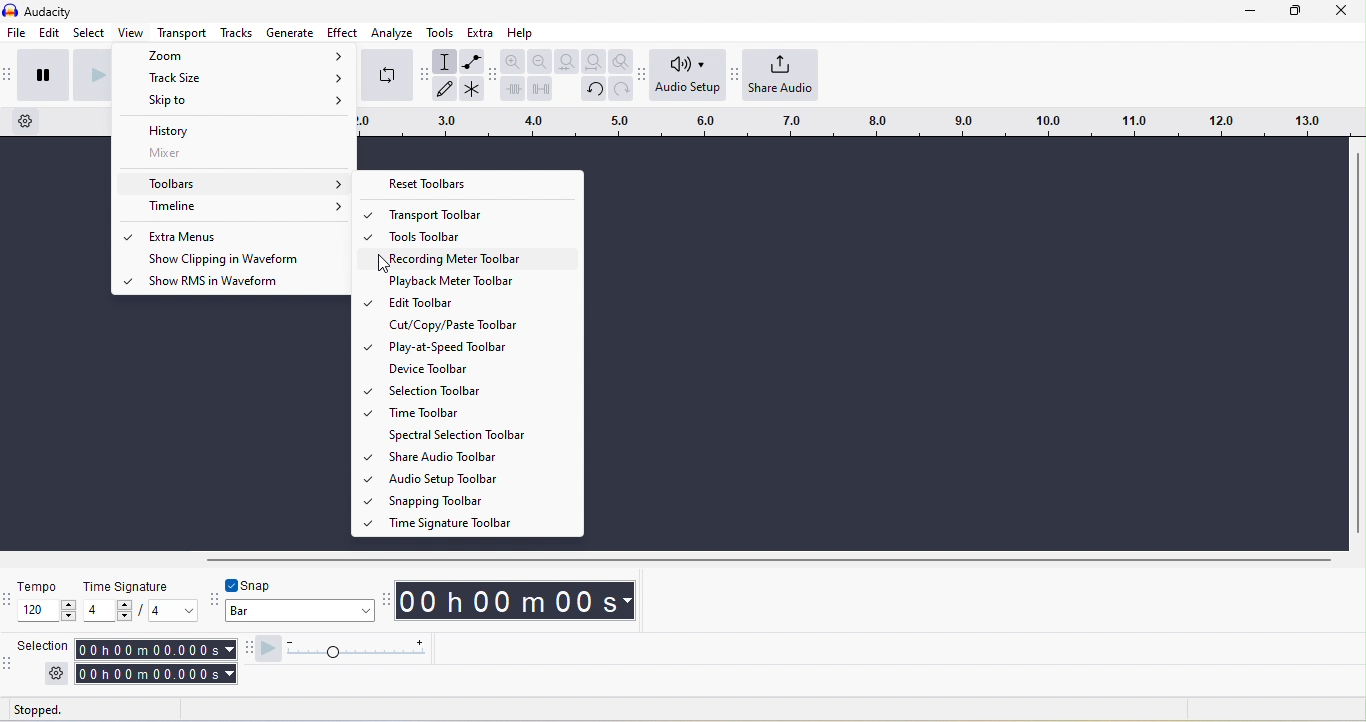  I want to click on Play at speed toolbar, so click(478, 347).